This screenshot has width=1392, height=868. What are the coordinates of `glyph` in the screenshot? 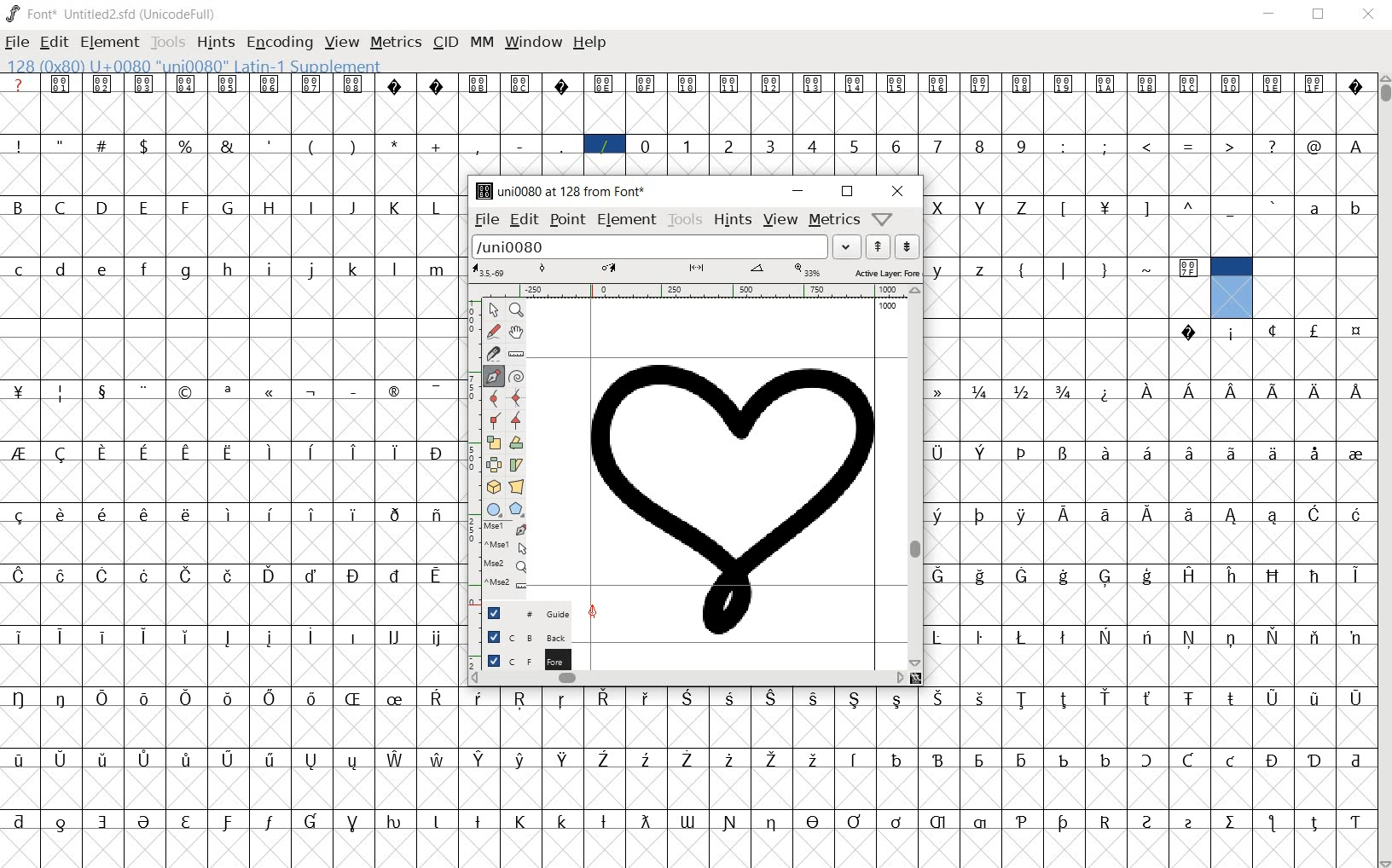 It's located at (1356, 576).